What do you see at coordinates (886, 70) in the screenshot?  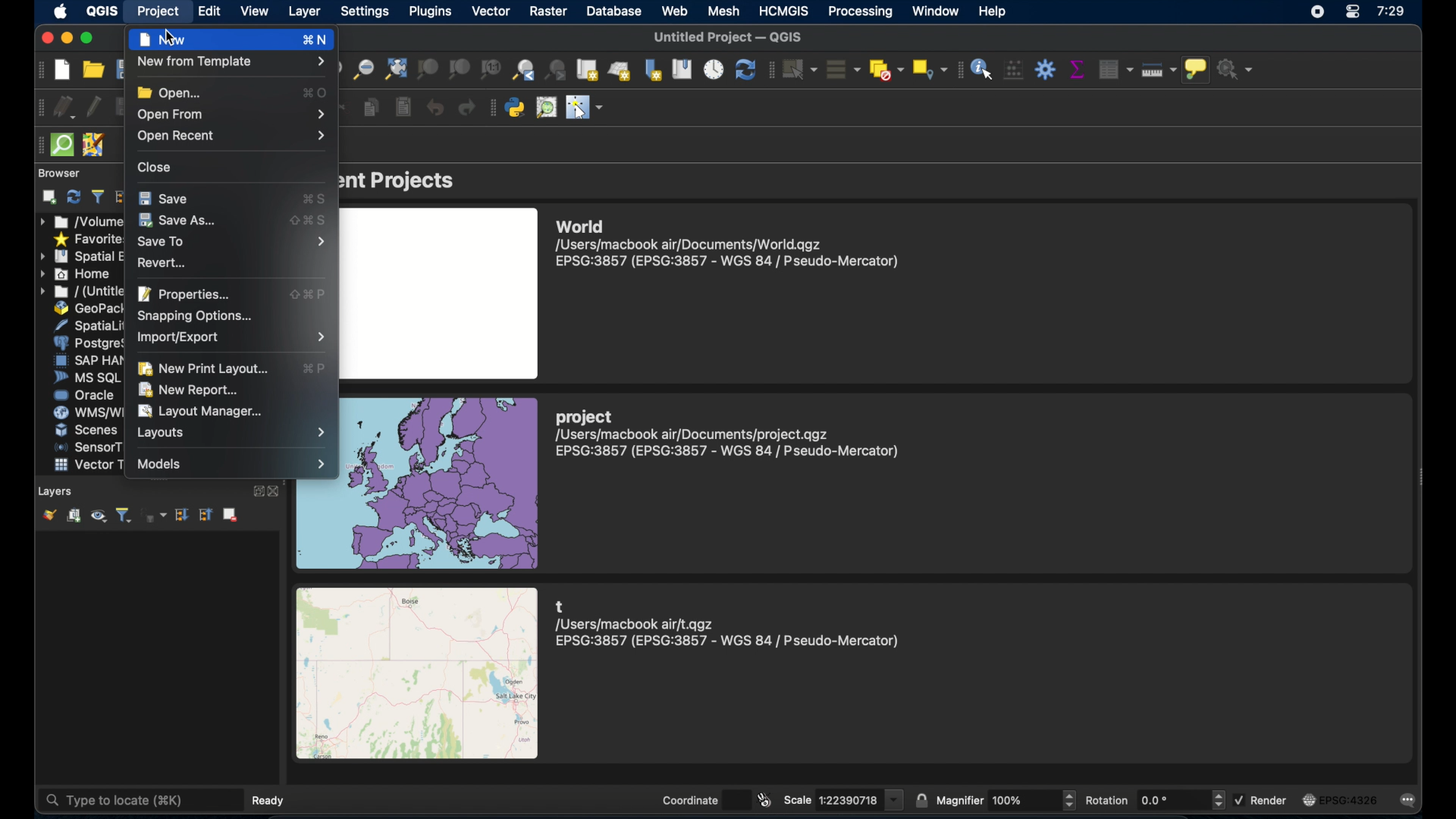 I see `deselect features form all layers` at bounding box center [886, 70].